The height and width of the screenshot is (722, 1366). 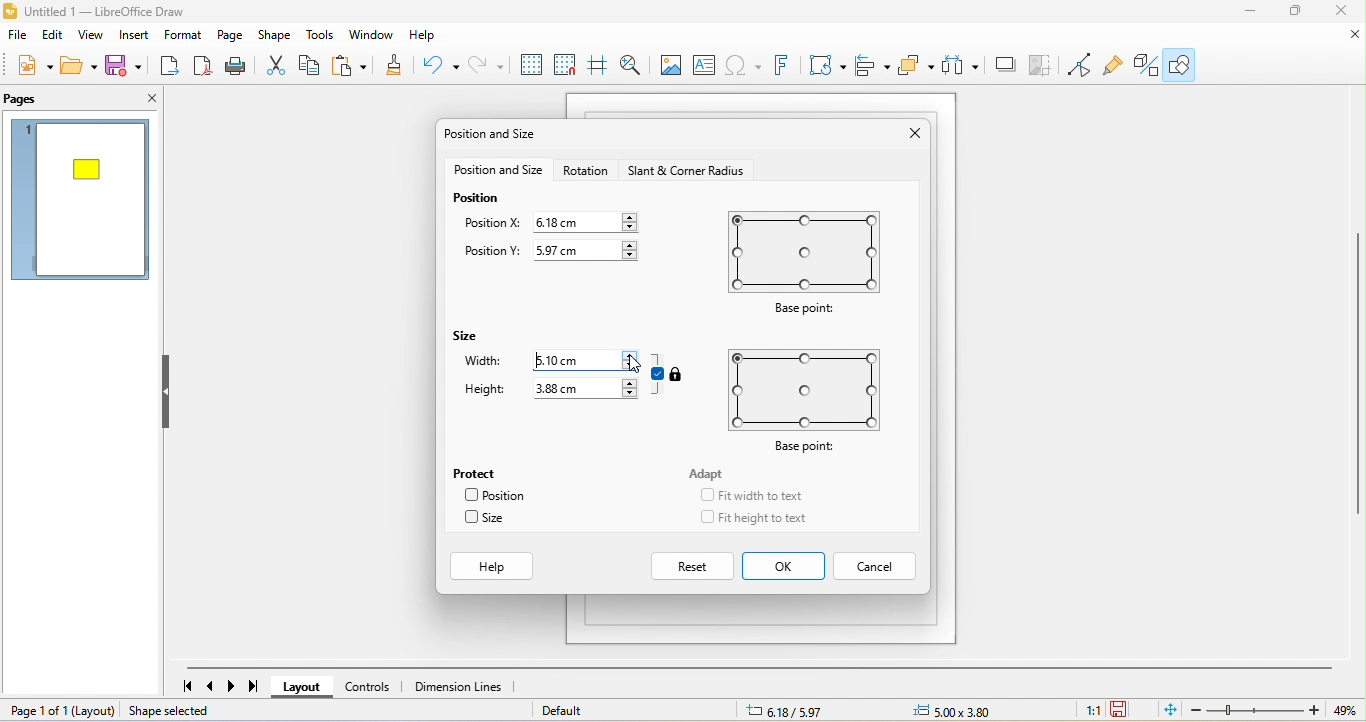 I want to click on page 1, so click(x=82, y=204).